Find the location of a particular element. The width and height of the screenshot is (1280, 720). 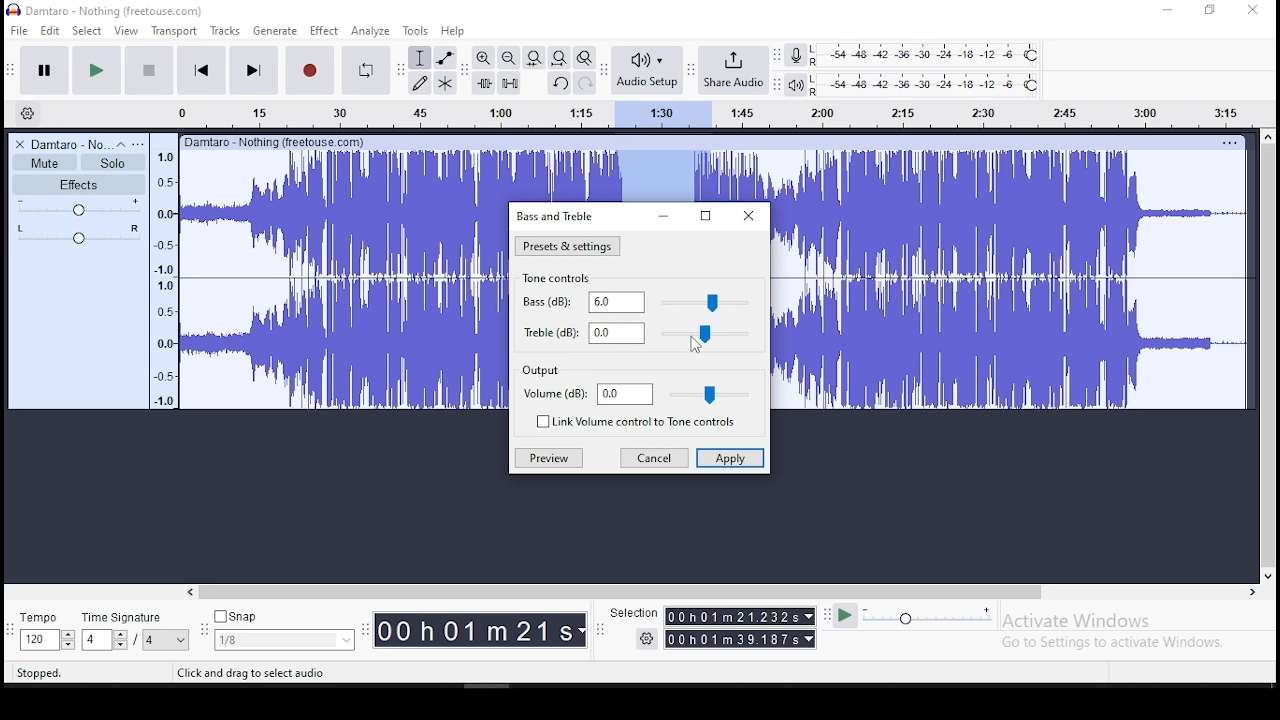

unchecked is located at coordinates (540, 421).